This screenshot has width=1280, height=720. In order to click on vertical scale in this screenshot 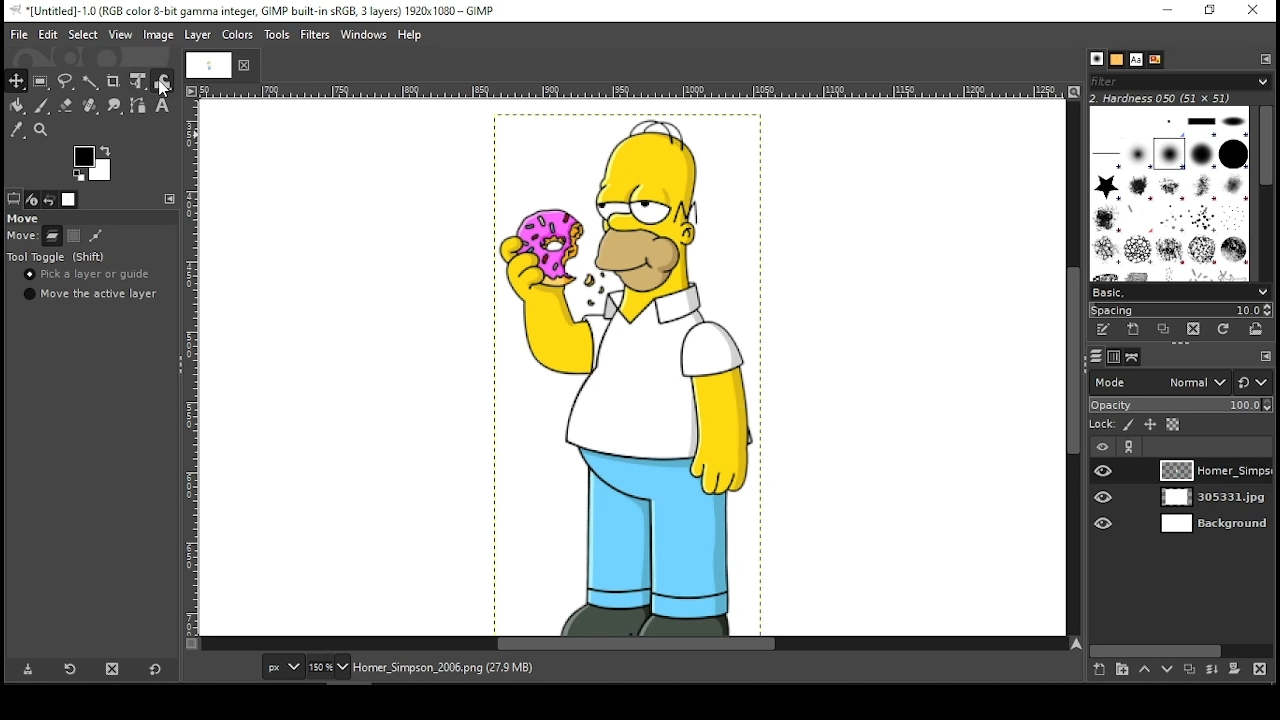, I will do `click(191, 368)`.